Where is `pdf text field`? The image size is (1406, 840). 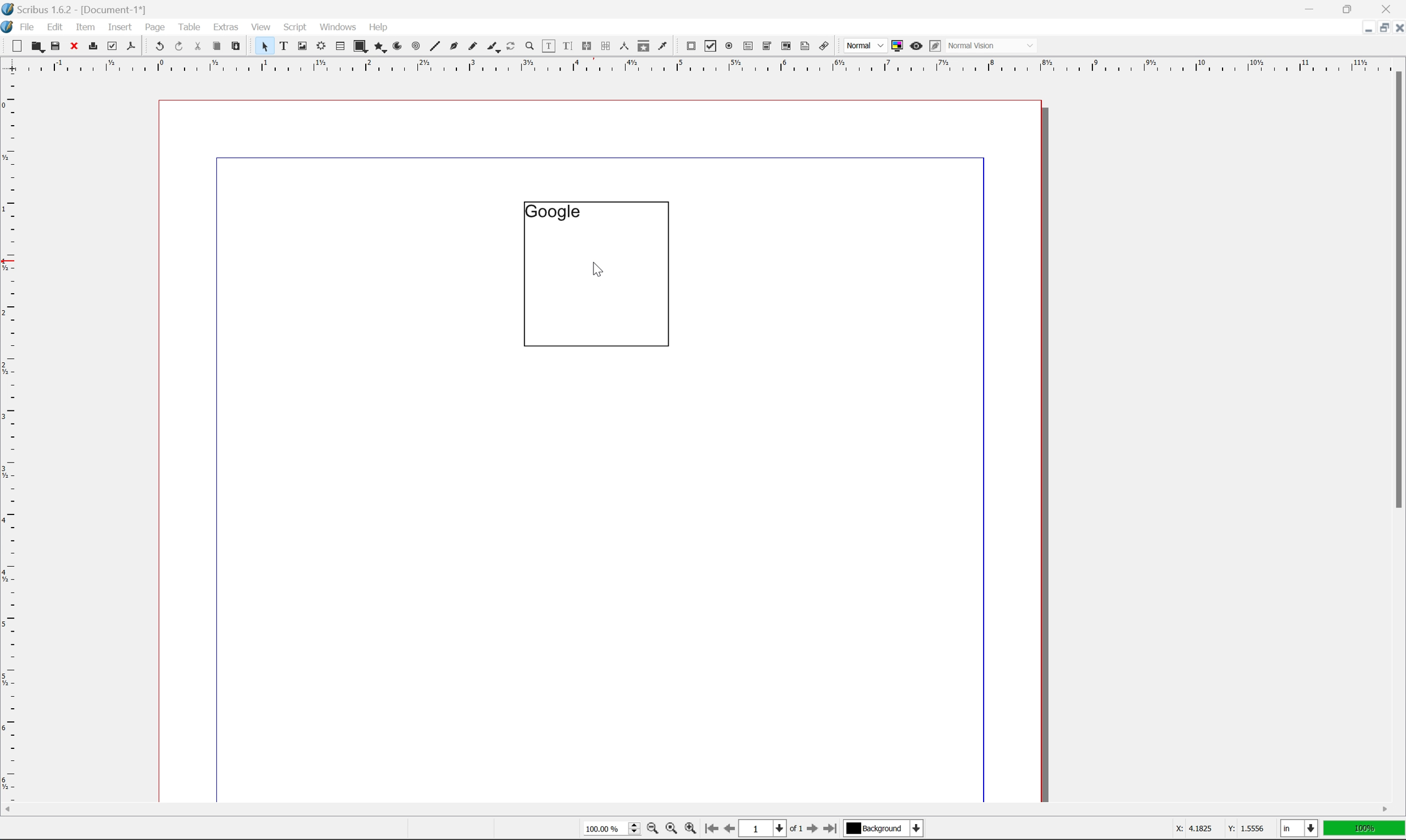 pdf text field is located at coordinates (746, 47).